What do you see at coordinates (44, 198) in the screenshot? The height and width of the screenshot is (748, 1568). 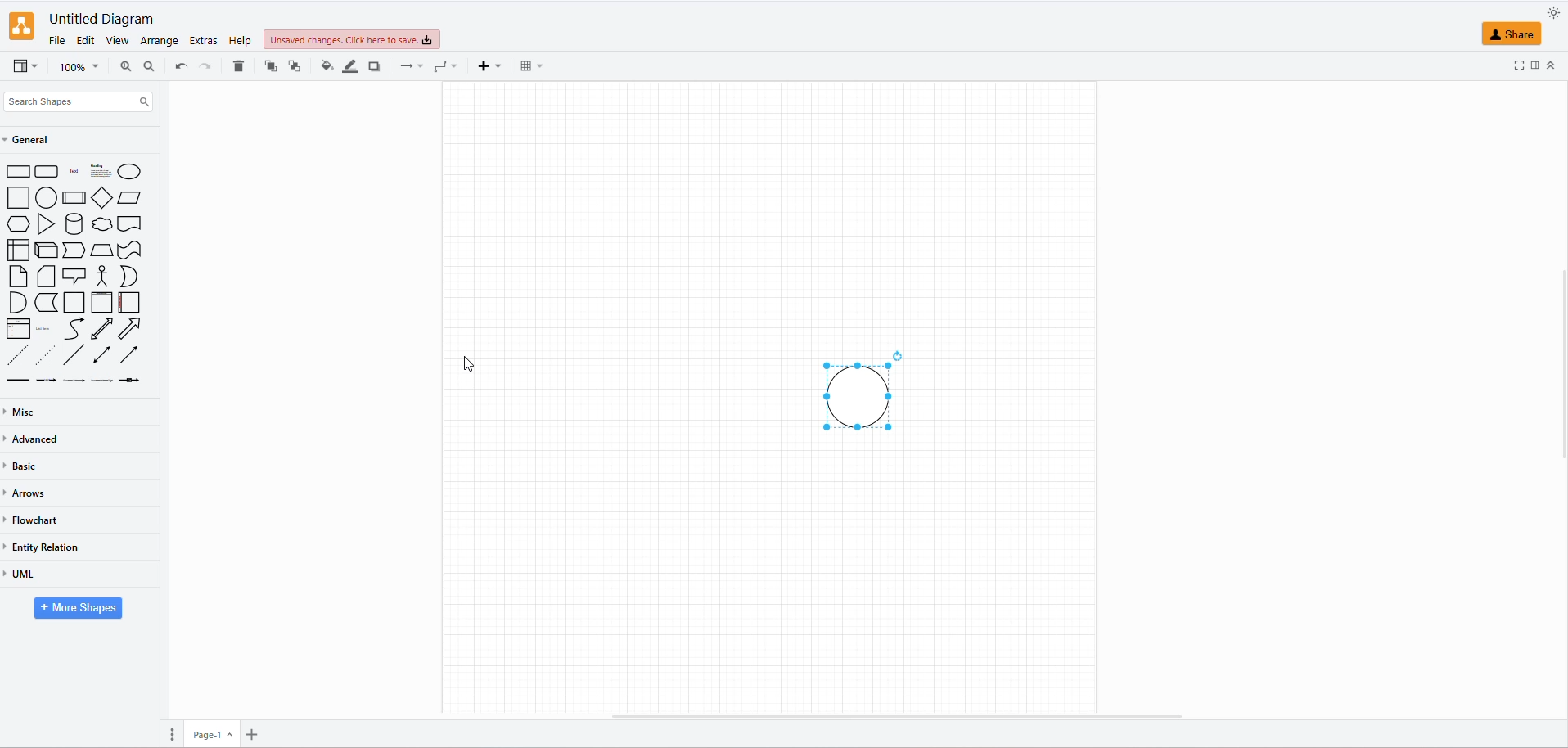 I see `CIRCLE` at bounding box center [44, 198].